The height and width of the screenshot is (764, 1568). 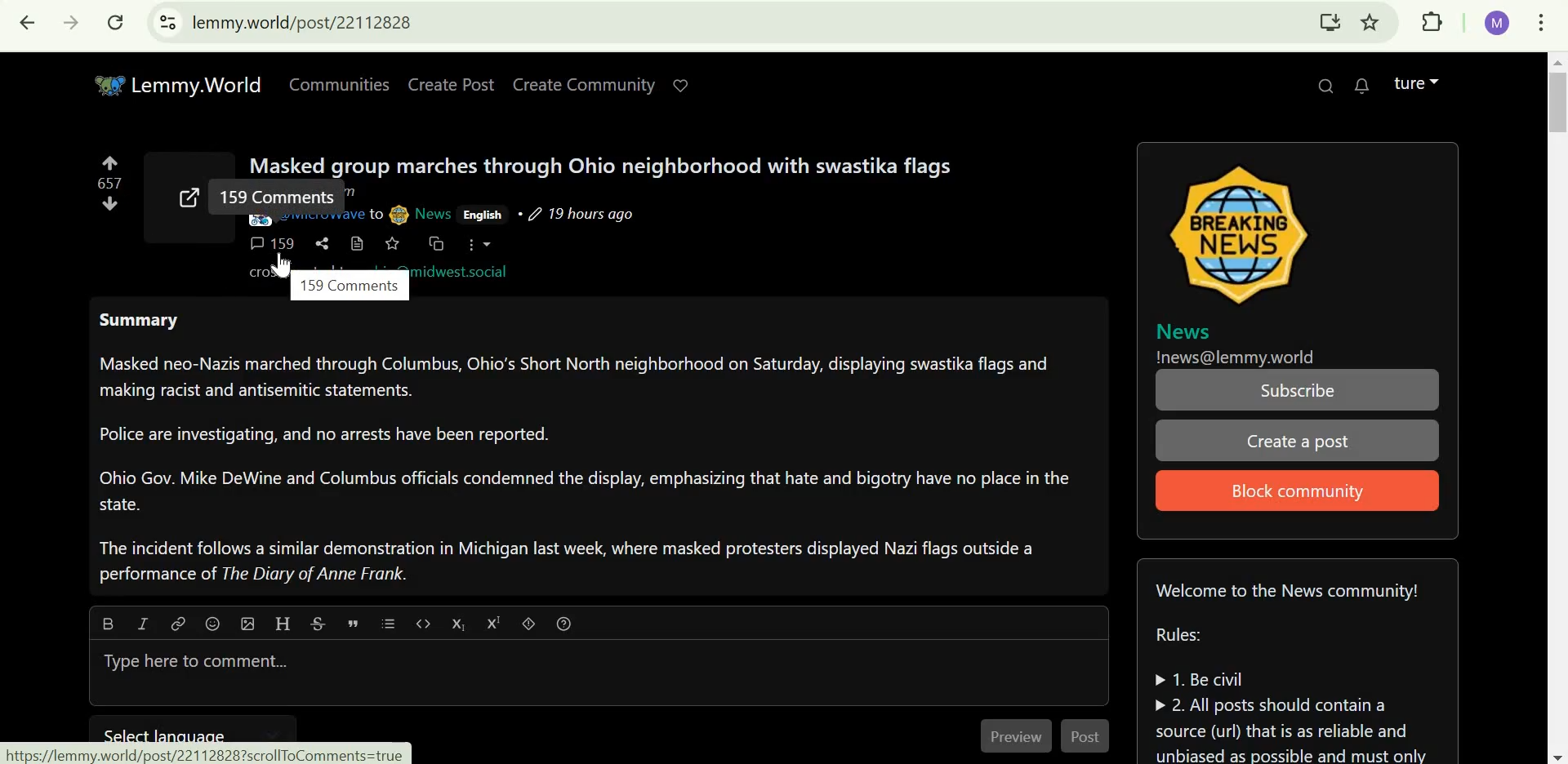 What do you see at coordinates (141, 623) in the screenshot?
I see `Italic` at bounding box center [141, 623].